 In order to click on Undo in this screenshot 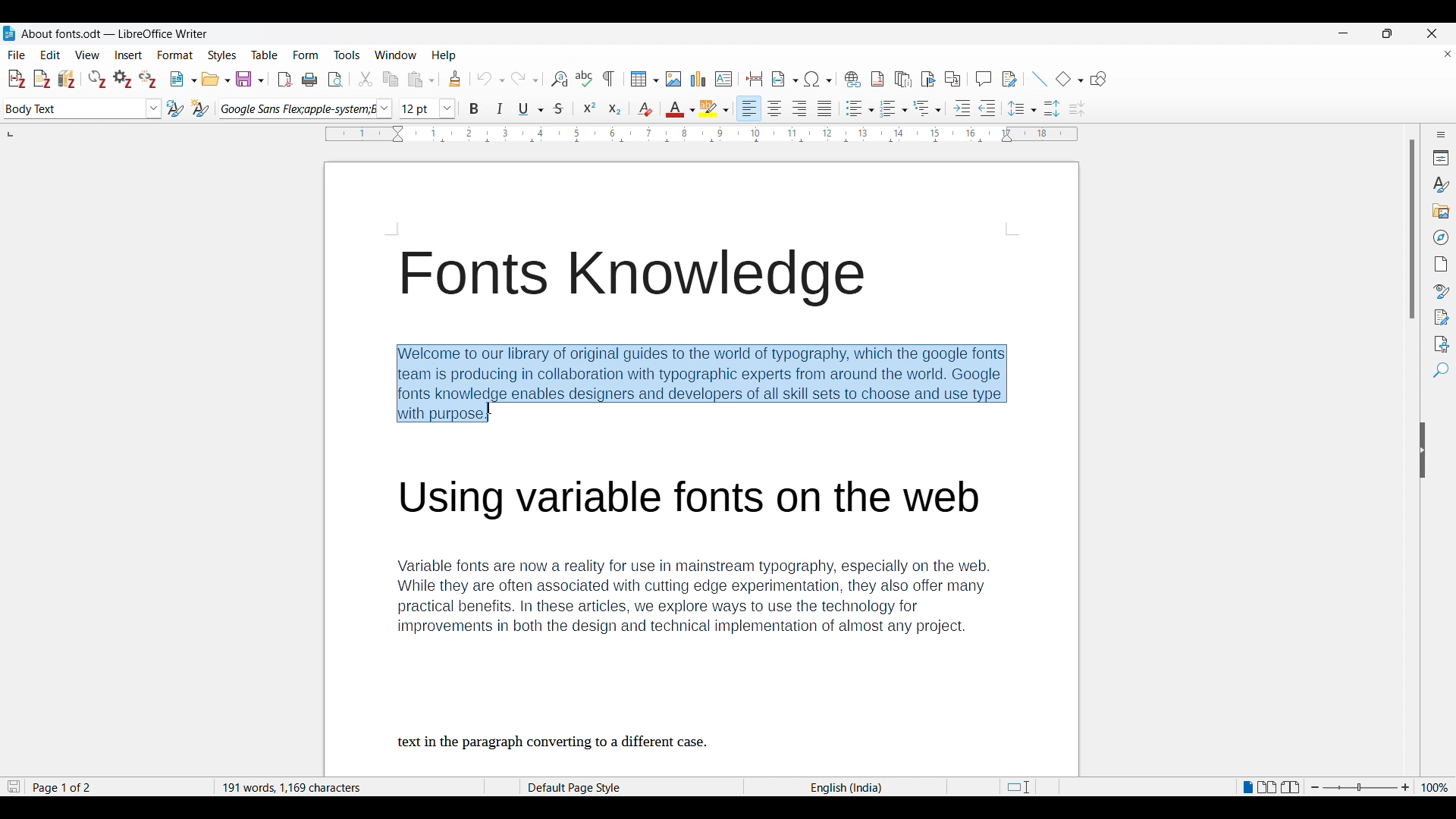, I will do `click(491, 79)`.